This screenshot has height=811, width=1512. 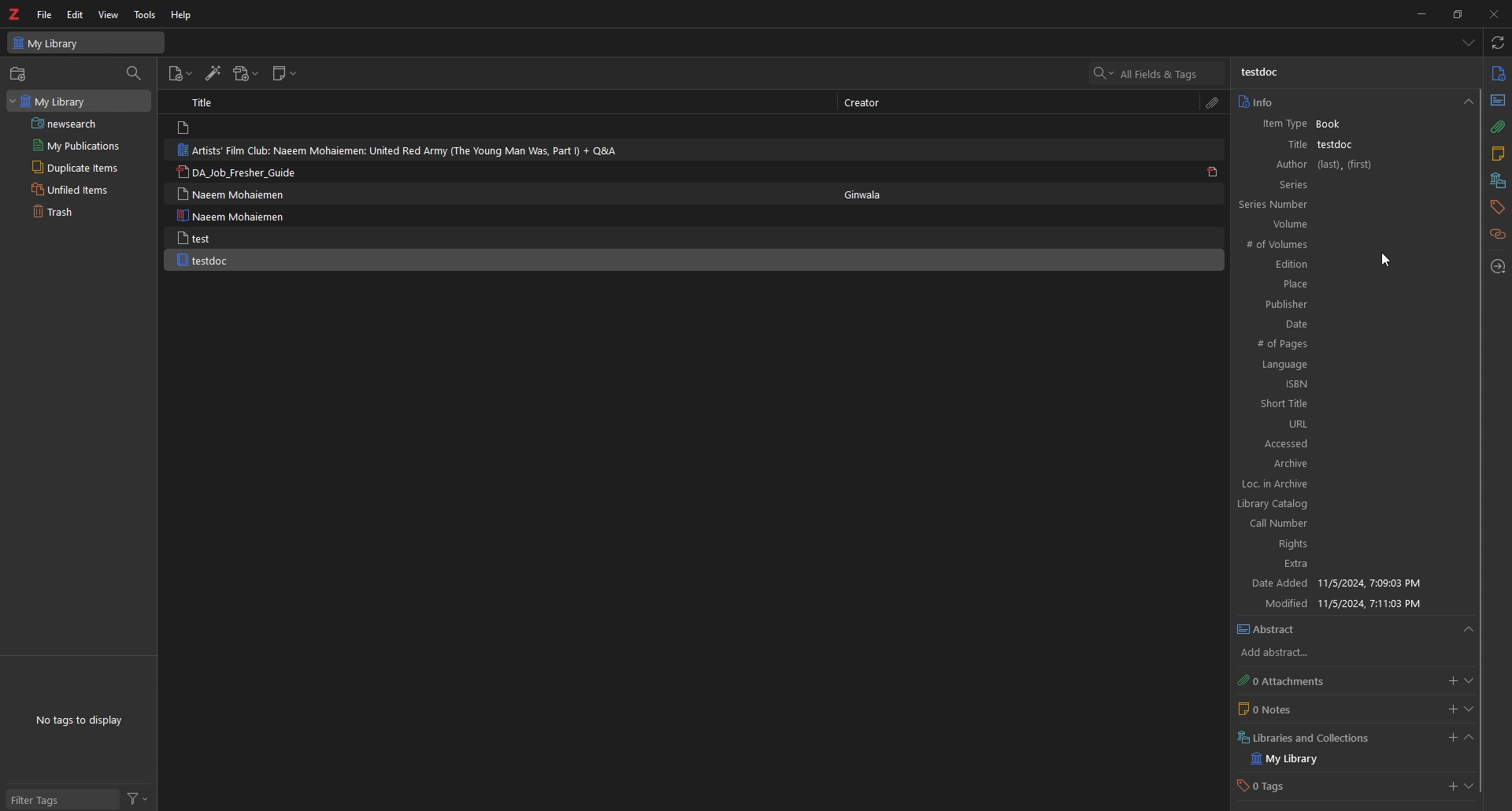 What do you see at coordinates (1350, 366) in the screenshot?
I see `Language` at bounding box center [1350, 366].